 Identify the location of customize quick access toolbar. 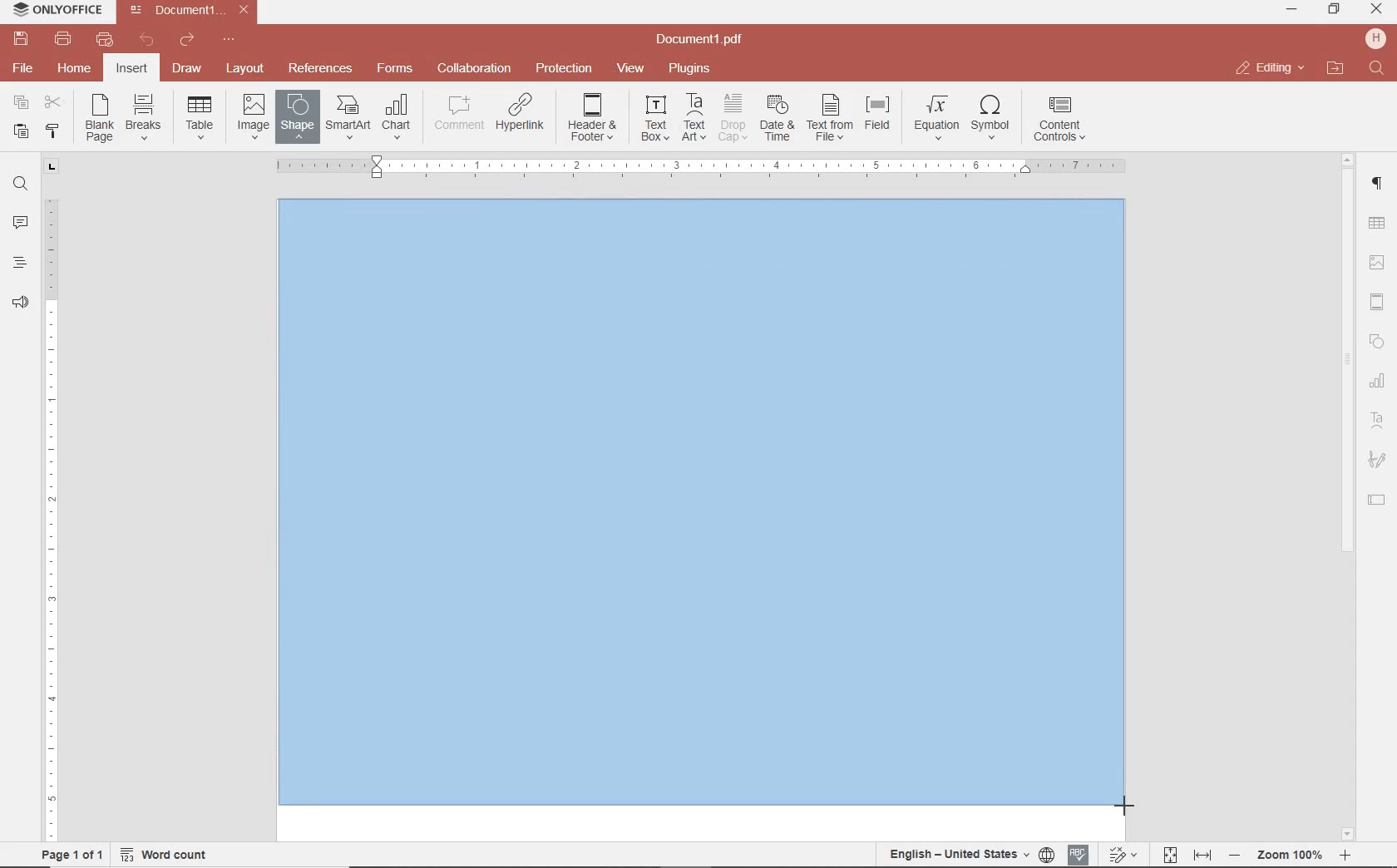
(229, 40).